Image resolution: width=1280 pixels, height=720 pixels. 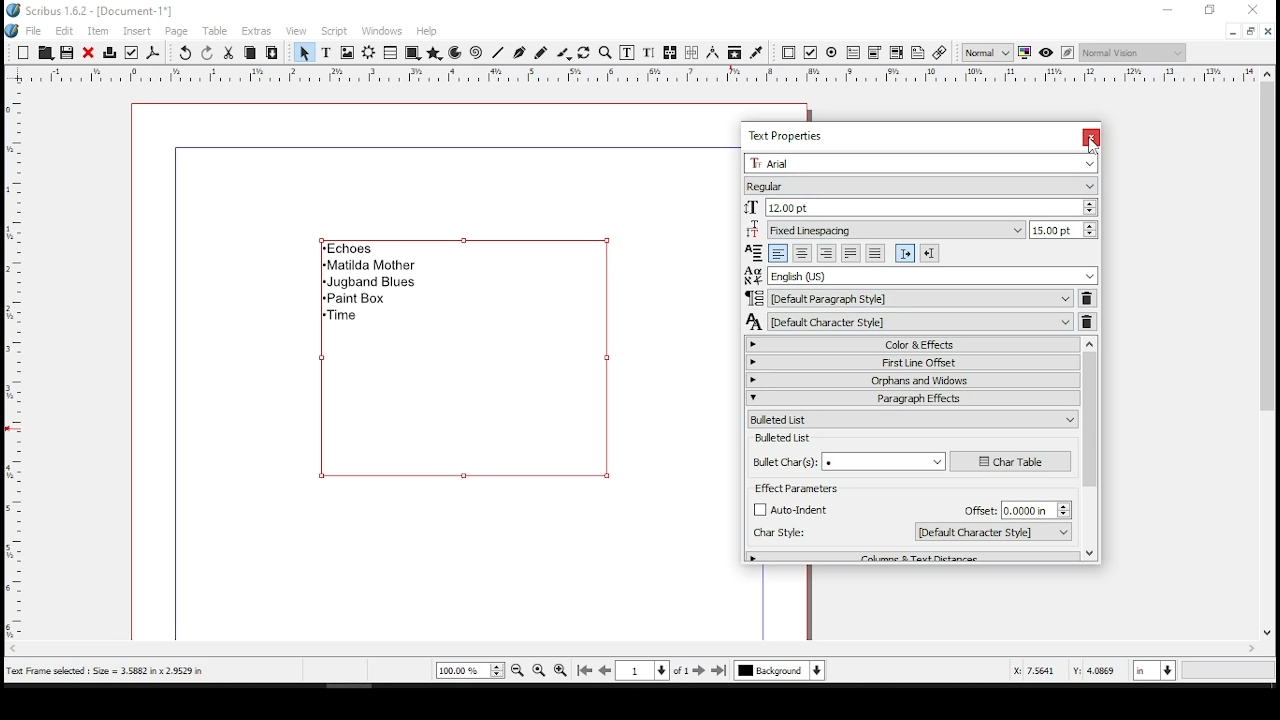 What do you see at coordinates (587, 671) in the screenshot?
I see `first page` at bounding box center [587, 671].